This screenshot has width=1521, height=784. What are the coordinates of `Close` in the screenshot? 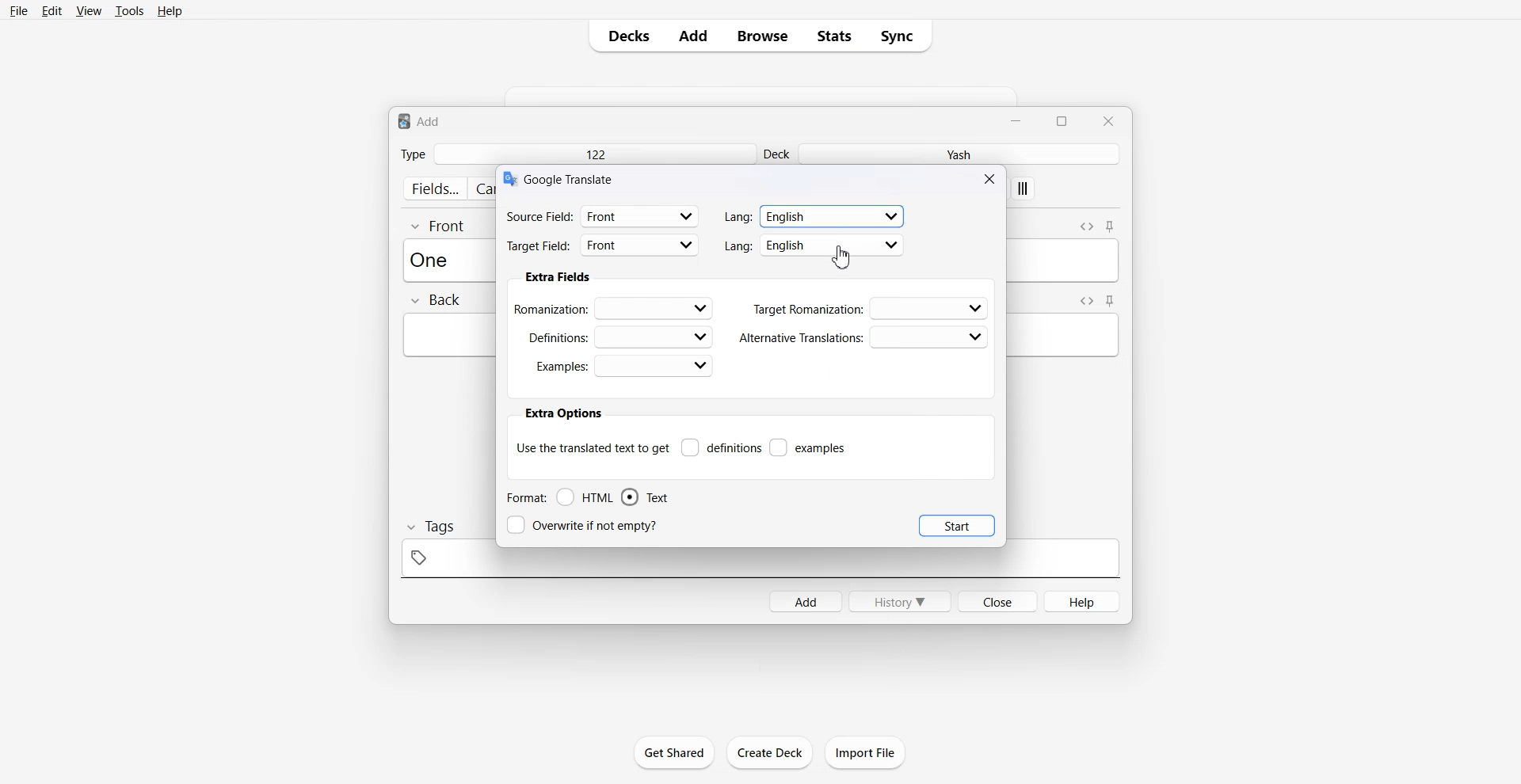 It's located at (992, 178).